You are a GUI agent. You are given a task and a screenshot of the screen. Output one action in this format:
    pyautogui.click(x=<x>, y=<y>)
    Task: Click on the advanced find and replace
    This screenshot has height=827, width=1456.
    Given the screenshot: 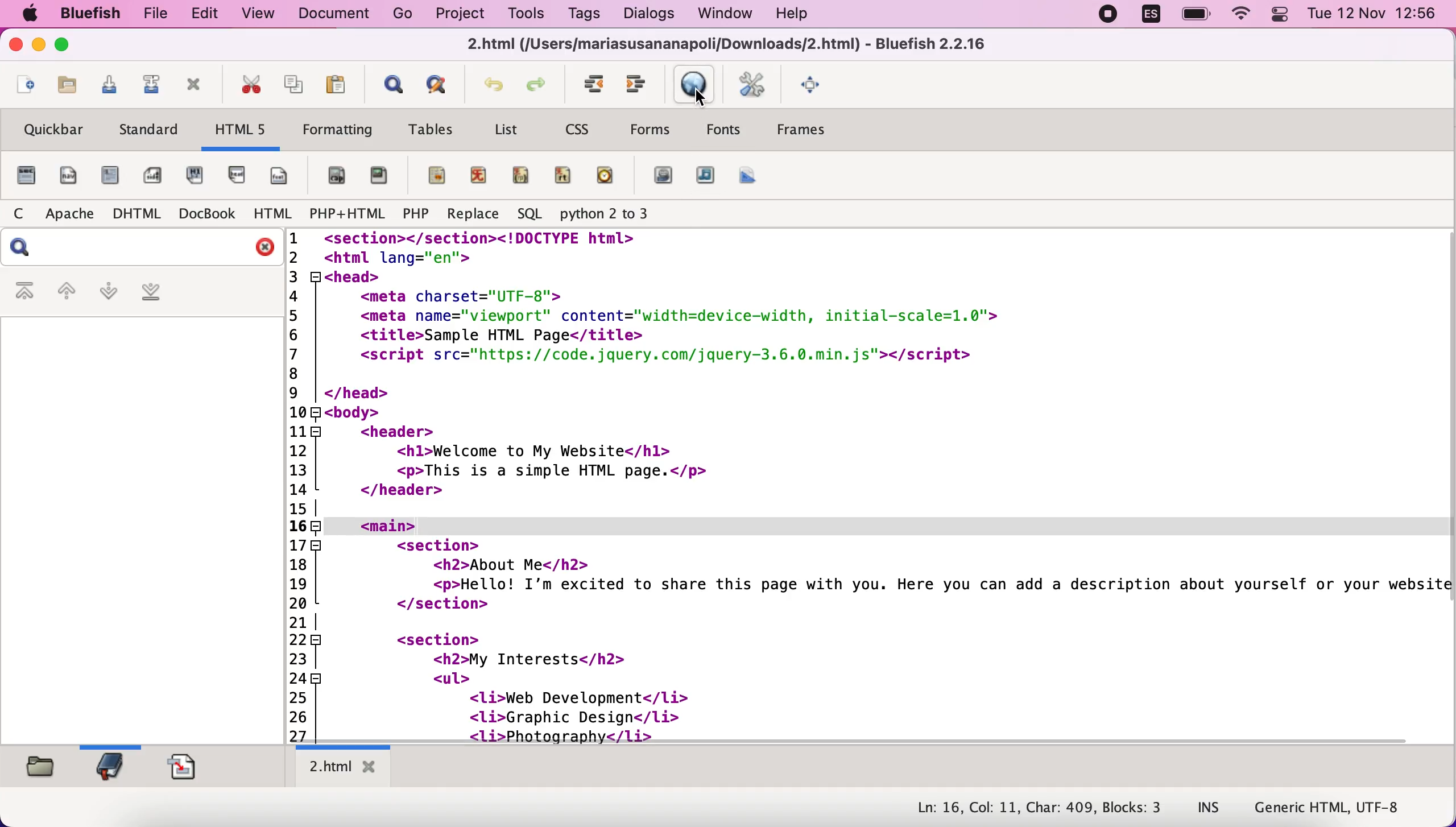 What is the action you would take?
    pyautogui.click(x=439, y=87)
    